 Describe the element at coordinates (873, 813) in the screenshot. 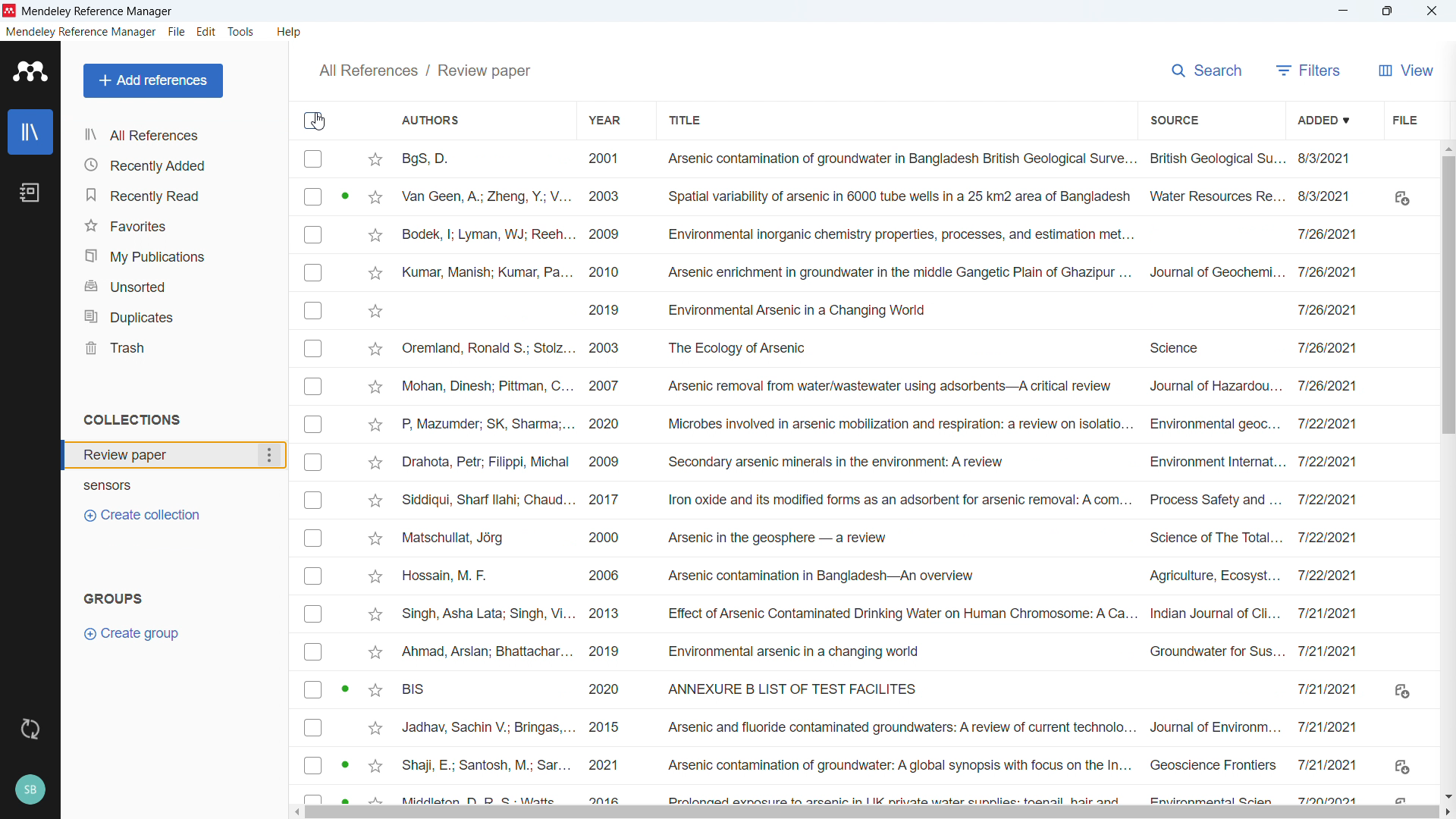

I see `Horizontal scrollbar ` at that location.